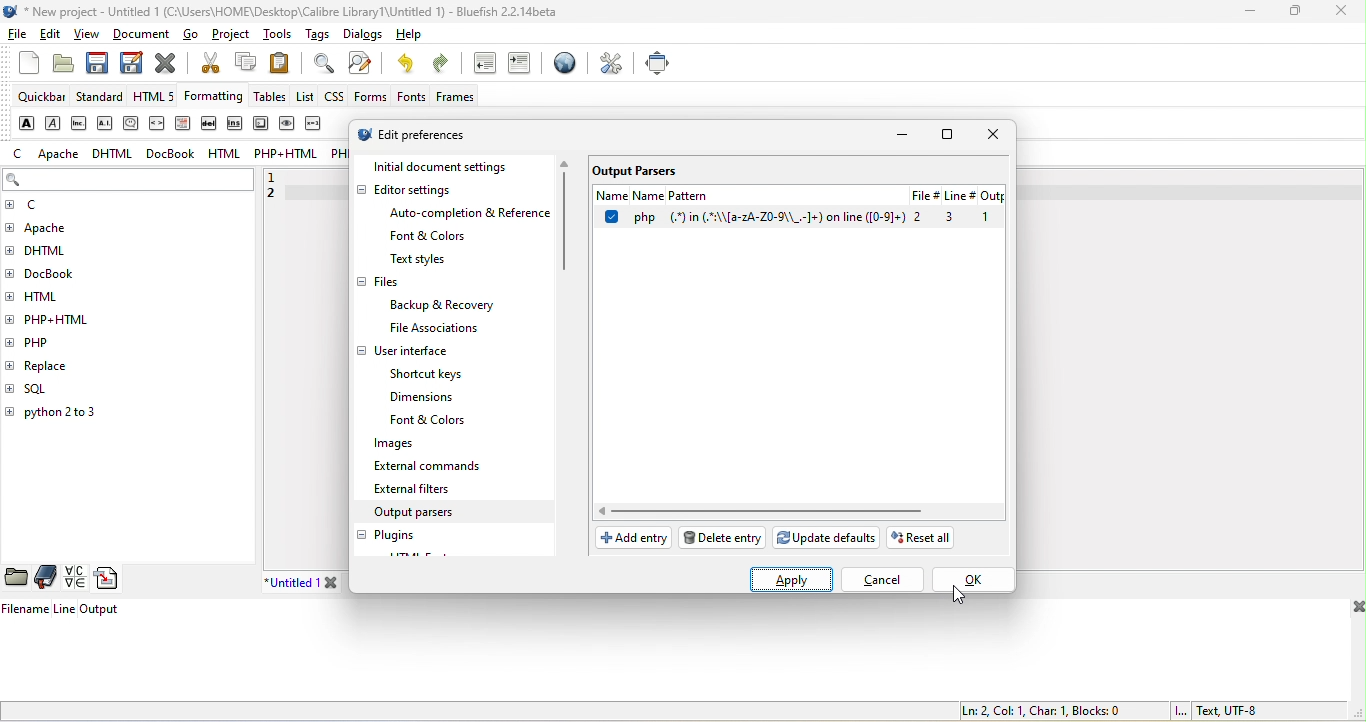 The image size is (1366, 722). Describe the element at coordinates (456, 98) in the screenshot. I see `frames` at that location.